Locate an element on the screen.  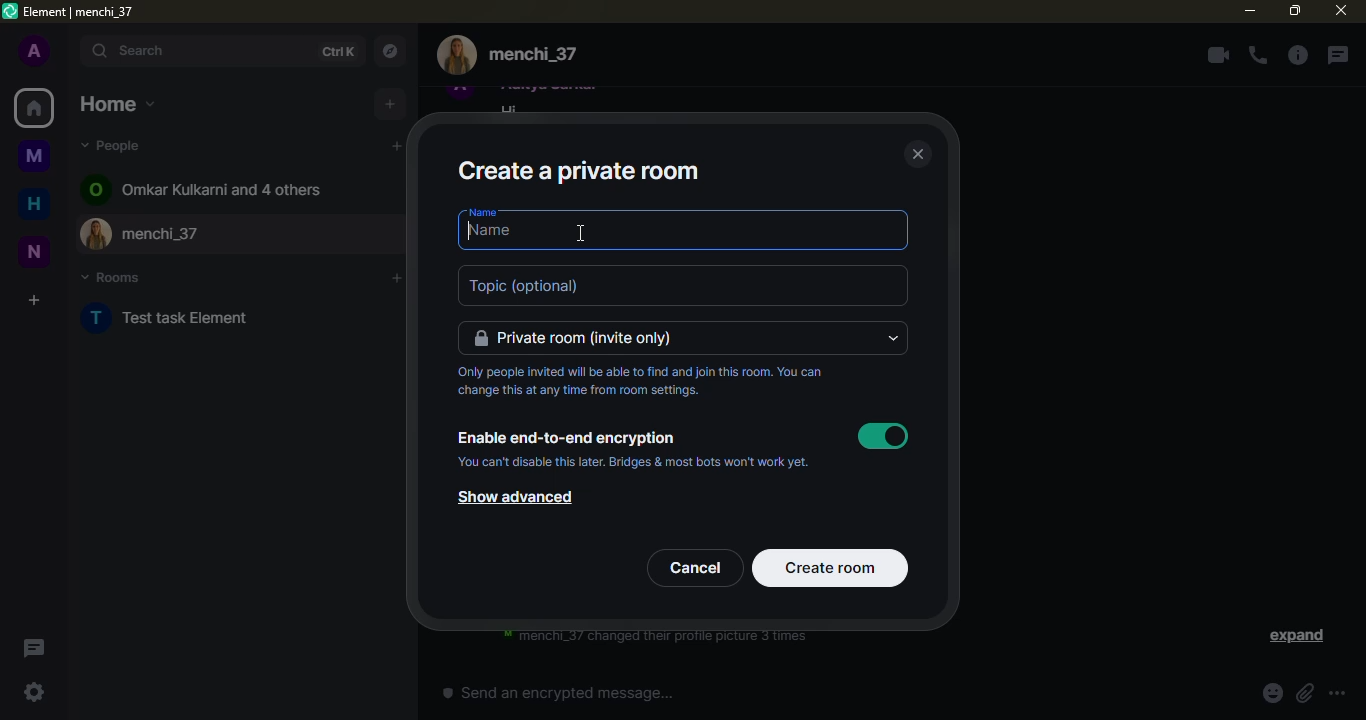
quick settings is located at coordinates (34, 692).